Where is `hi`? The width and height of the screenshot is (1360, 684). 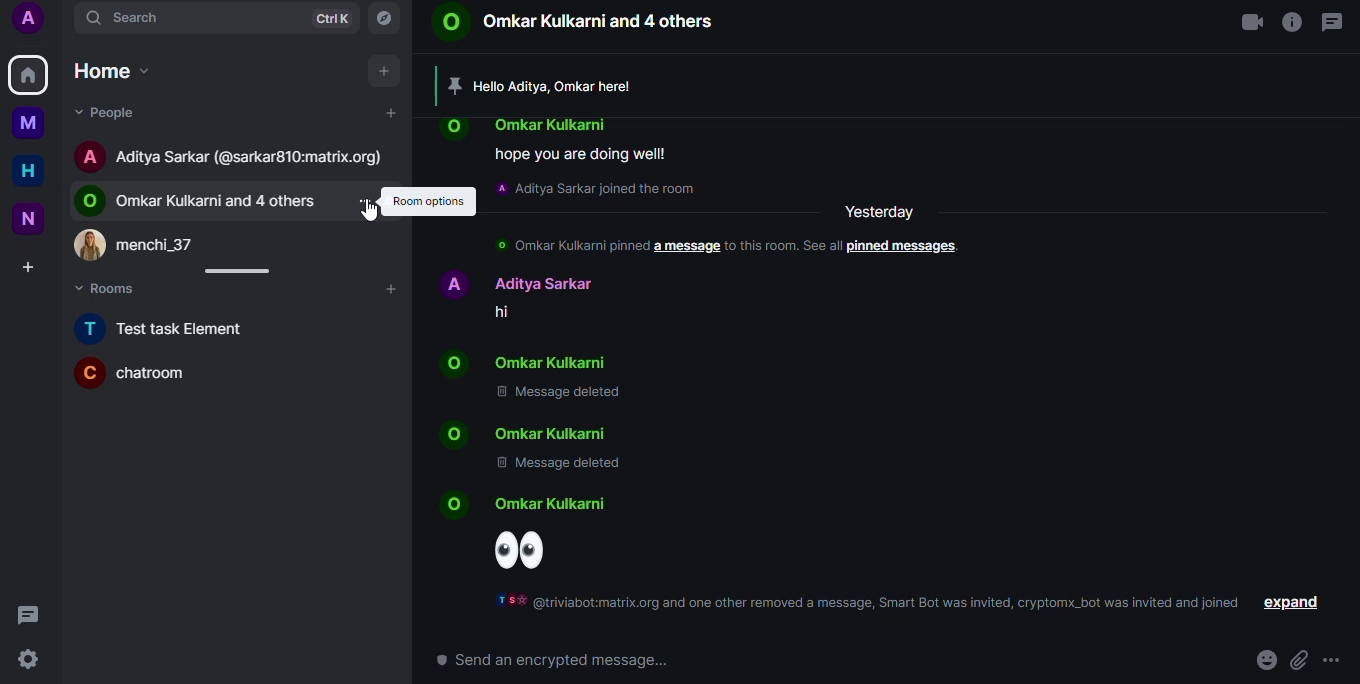 hi is located at coordinates (511, 311).